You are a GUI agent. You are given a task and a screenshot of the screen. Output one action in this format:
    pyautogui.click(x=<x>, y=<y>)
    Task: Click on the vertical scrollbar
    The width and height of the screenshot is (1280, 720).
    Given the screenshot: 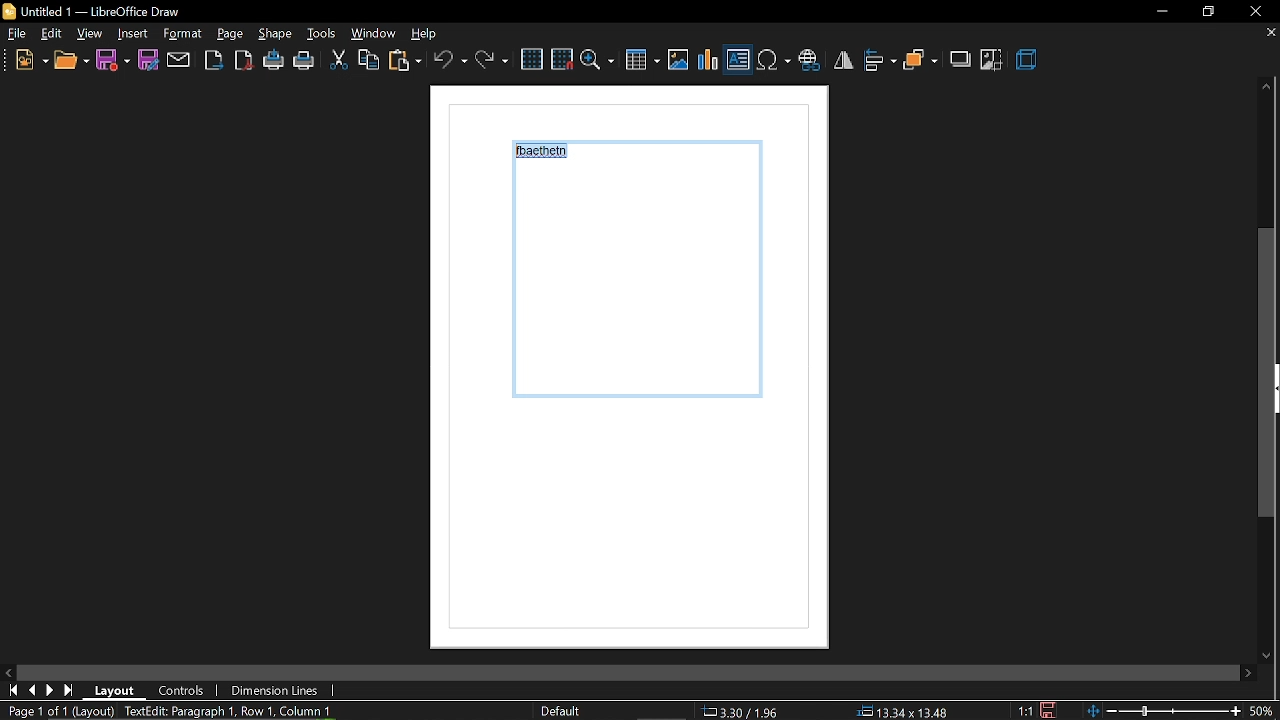 What is the action you would take?
    pyautogui.click(x=1267, y=375)
    